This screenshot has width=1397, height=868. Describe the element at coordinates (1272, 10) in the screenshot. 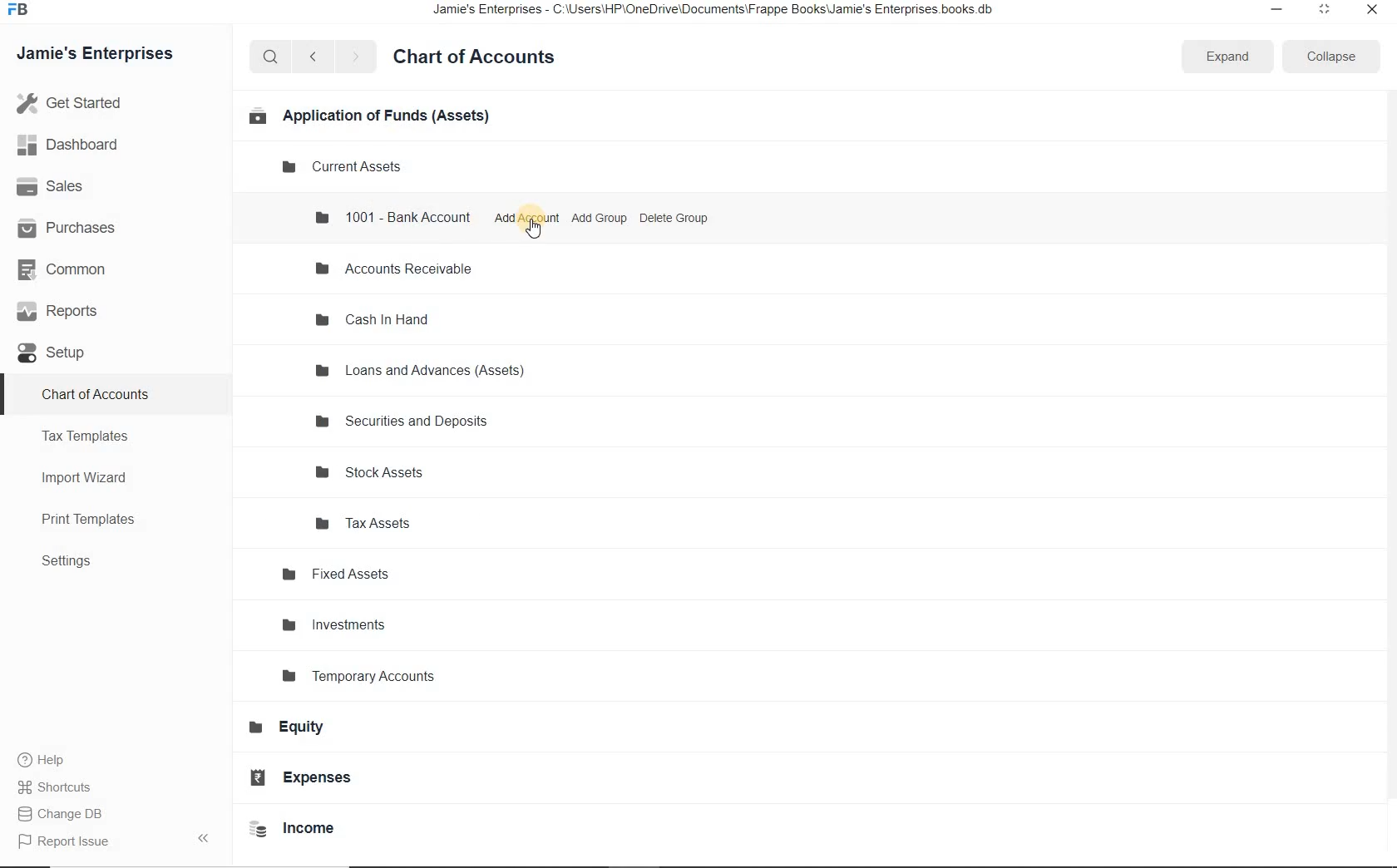

I see `minimize` at that location.